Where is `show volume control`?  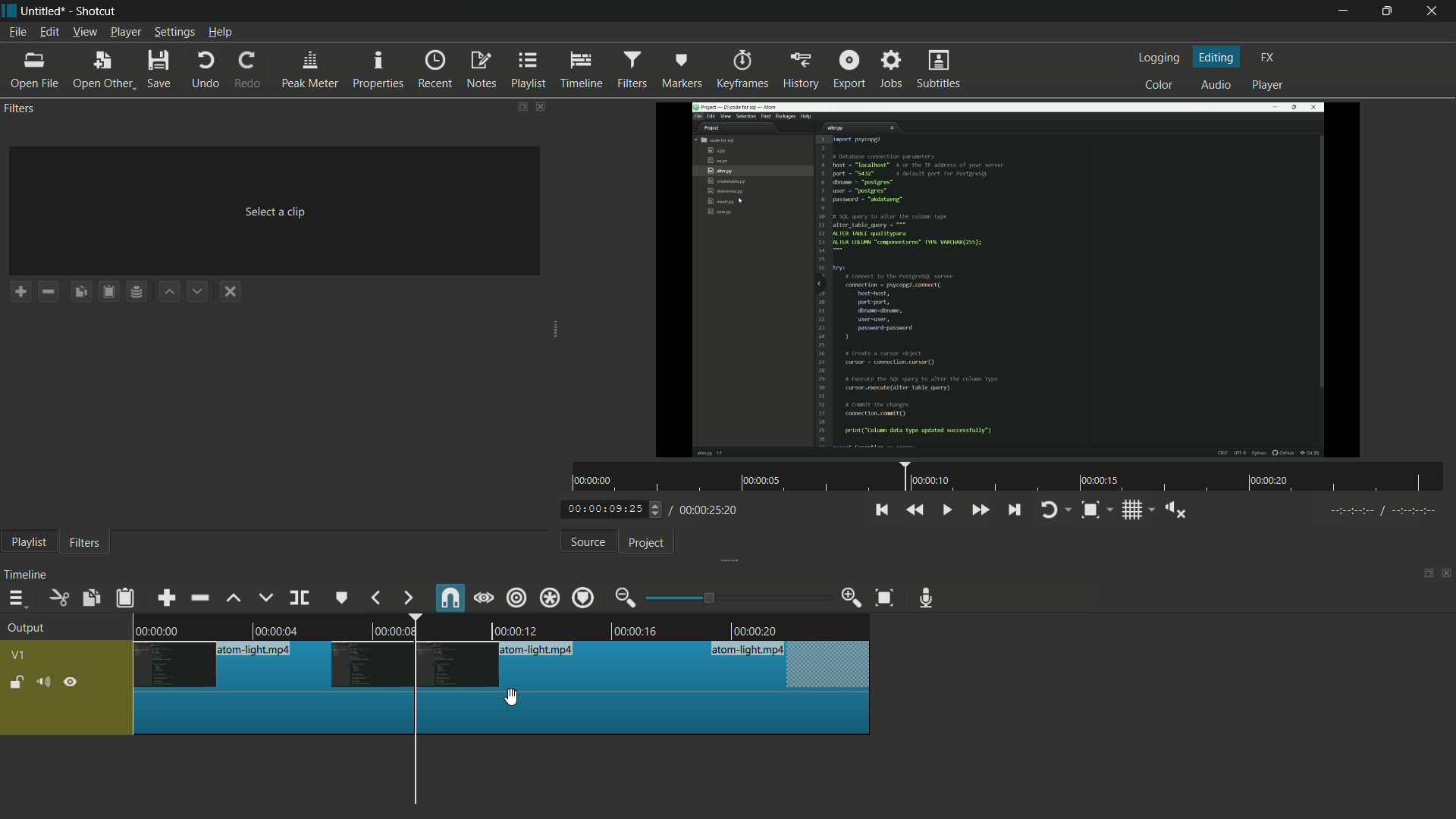
show volume control is located at coordinates (1175, 509).